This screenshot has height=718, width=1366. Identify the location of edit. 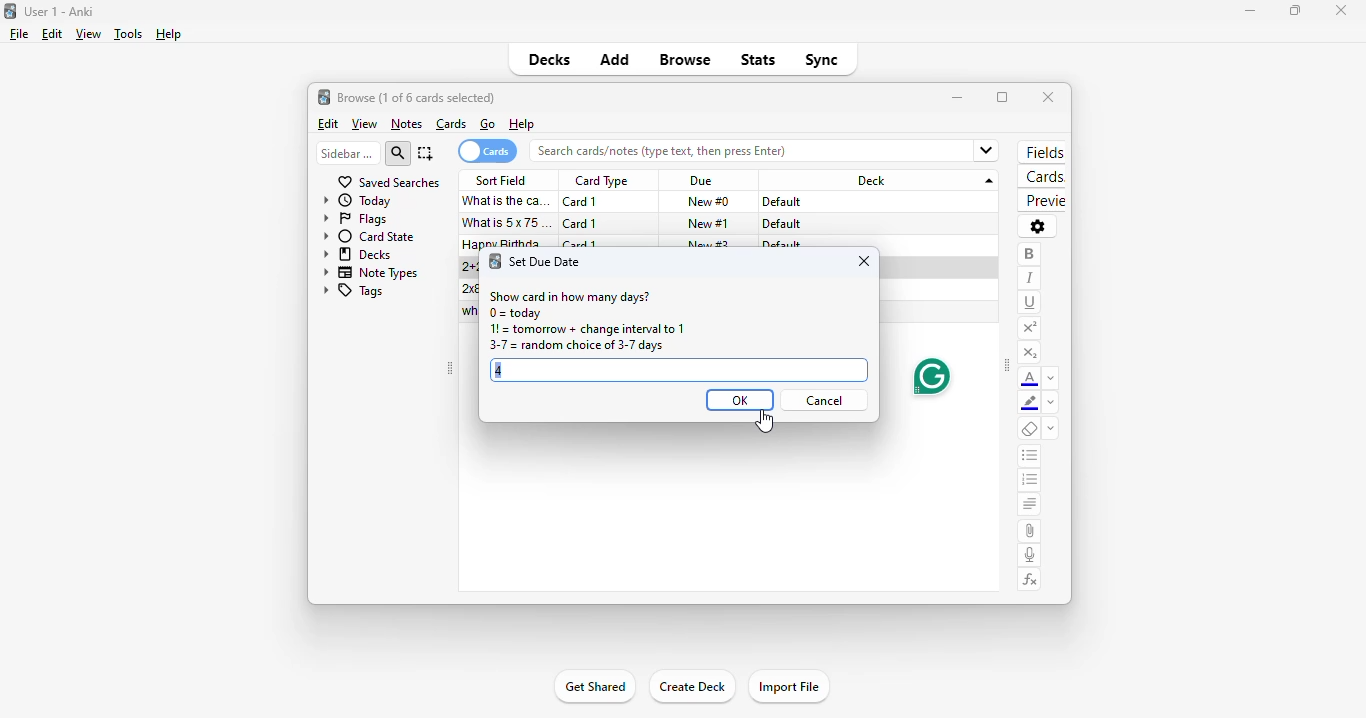
(51, 34).